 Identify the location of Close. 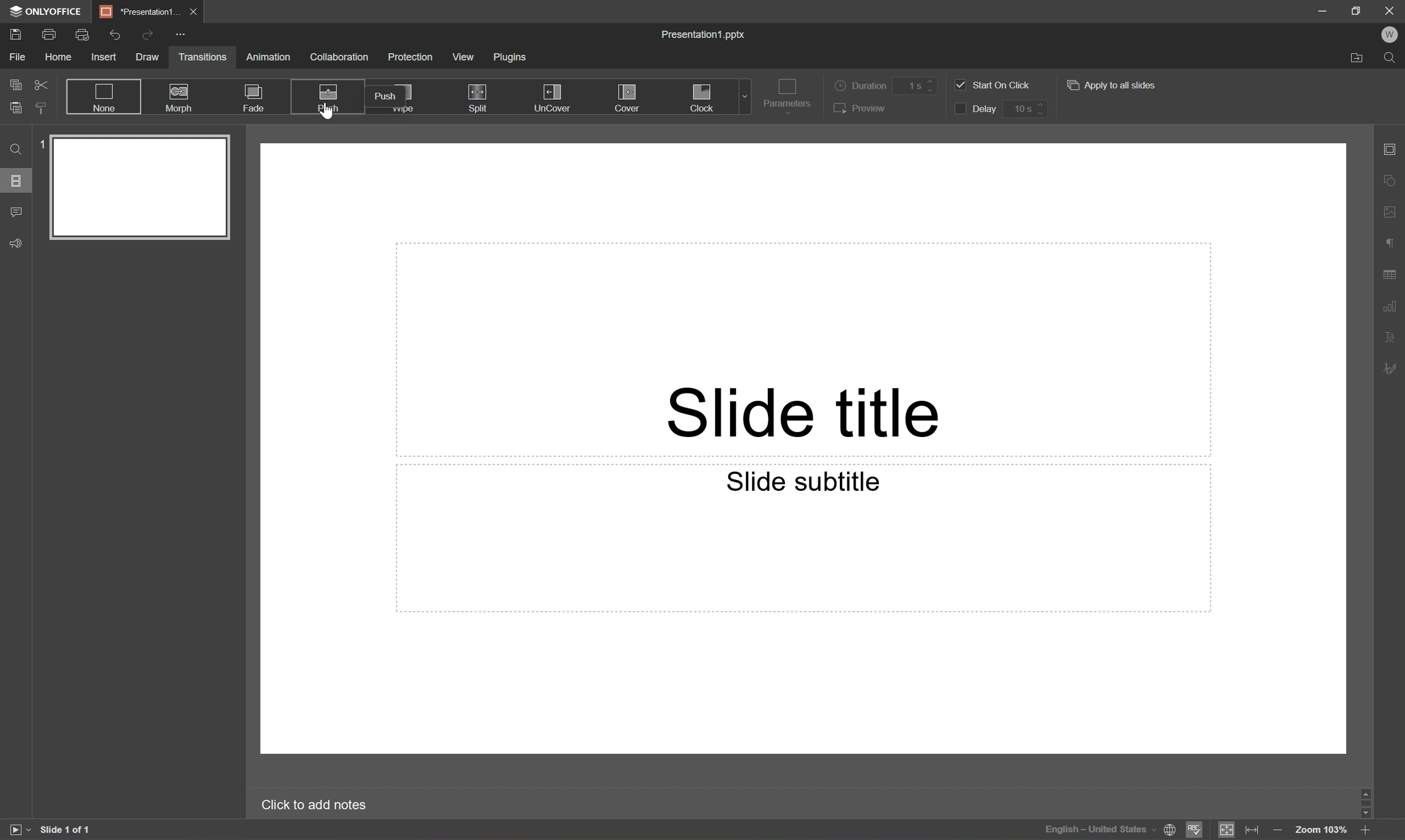
(1387, 10).